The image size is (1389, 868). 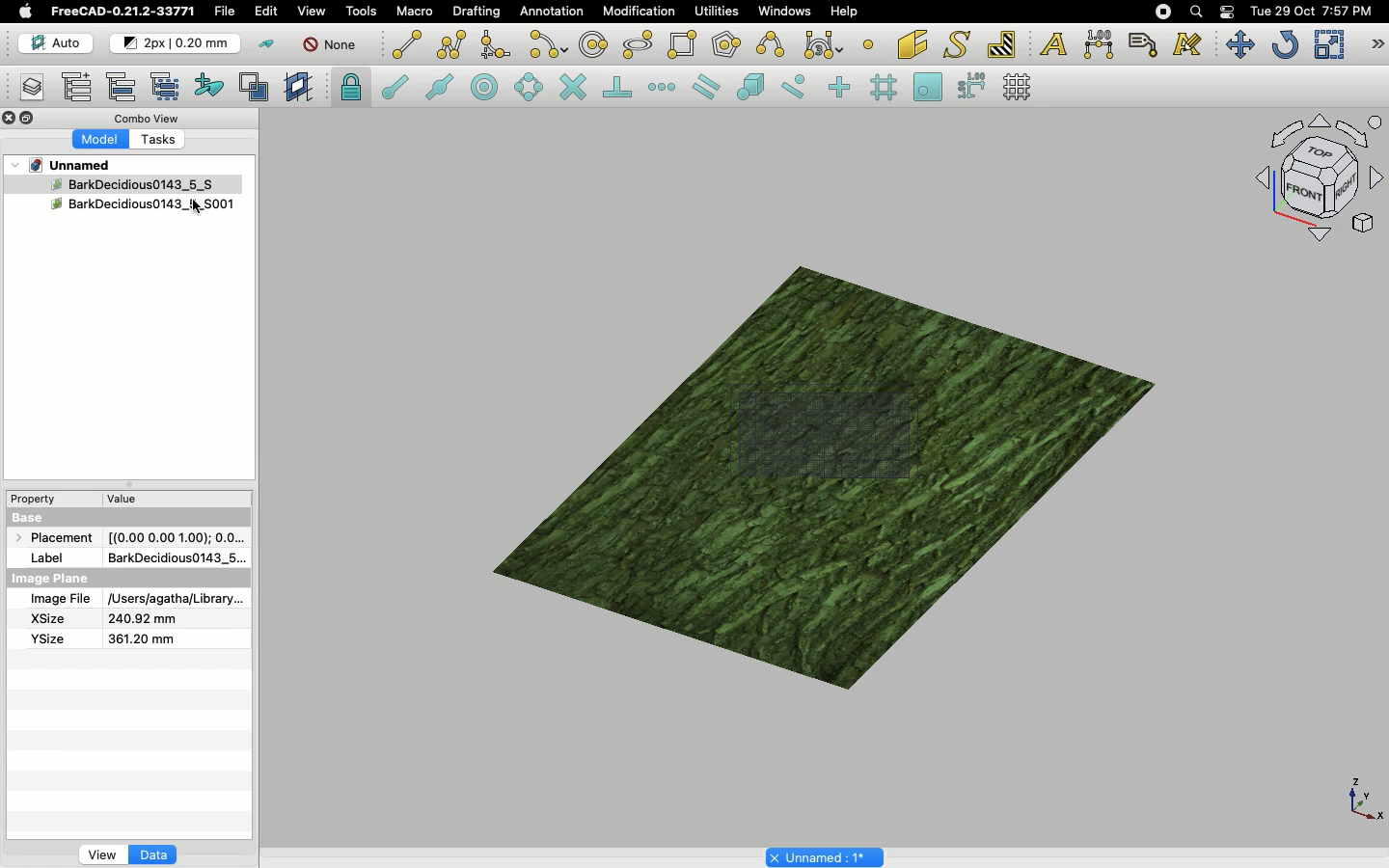 What do you see at coordinates (972, 87) in the screenshot?
I see `Snap dimensions` at bounding box center [972, 87].